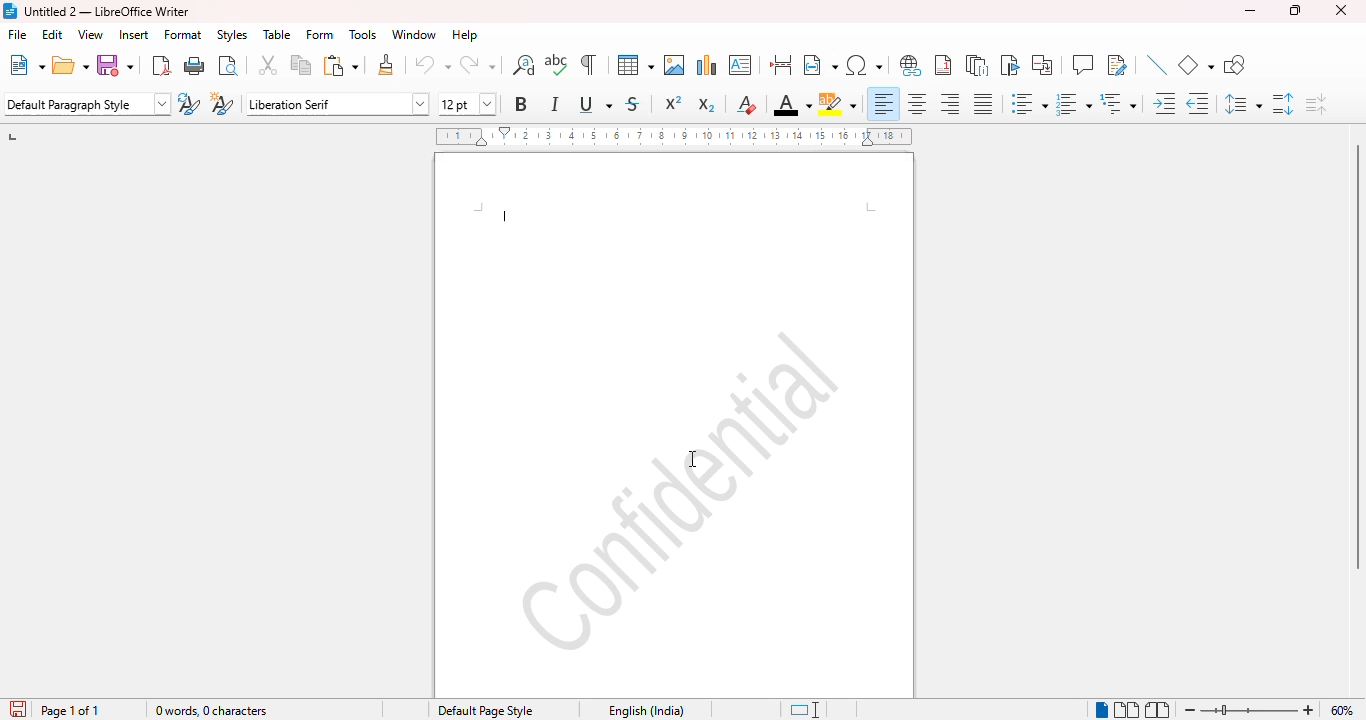  What do you see at coordinates (635, 64) in the screenshot?
I see `table` at bounding box center [635, 64].